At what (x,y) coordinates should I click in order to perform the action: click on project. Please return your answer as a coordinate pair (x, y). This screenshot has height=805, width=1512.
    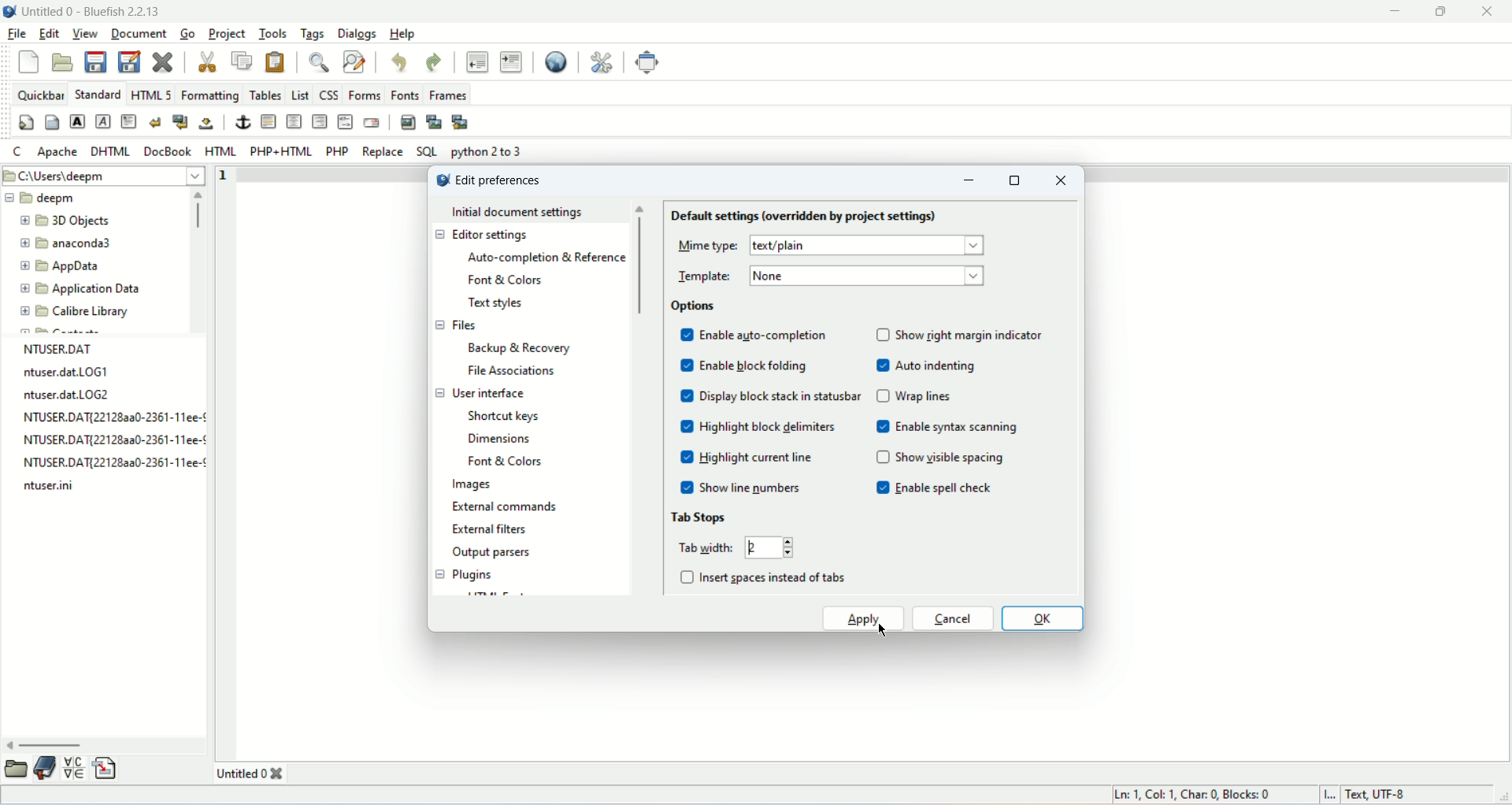
    Looking at the image, I should click on (224, 32).